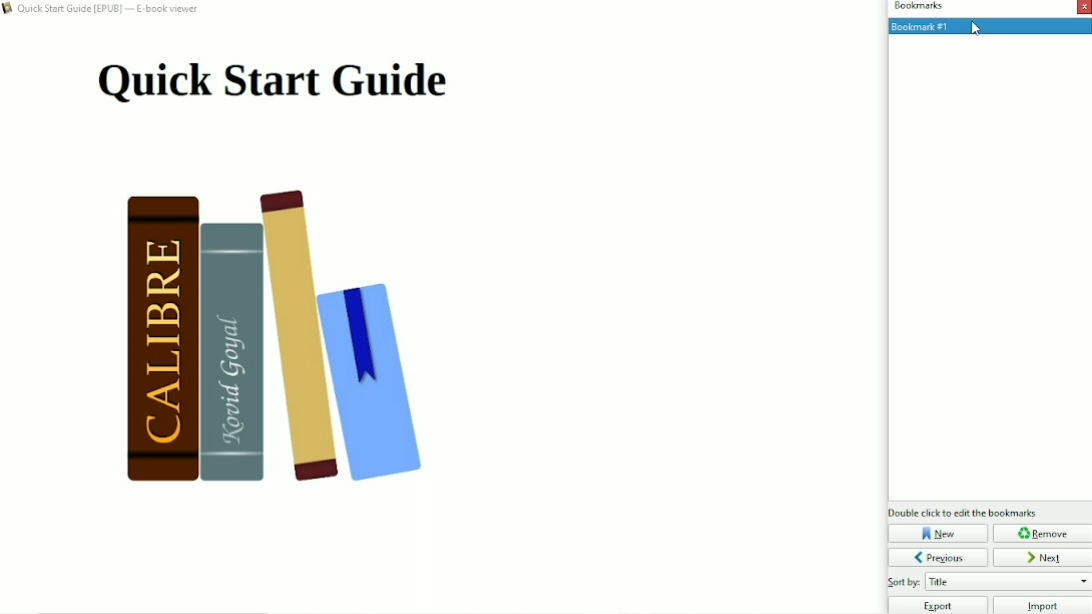  I want to click on cursor, so click(978, 29).